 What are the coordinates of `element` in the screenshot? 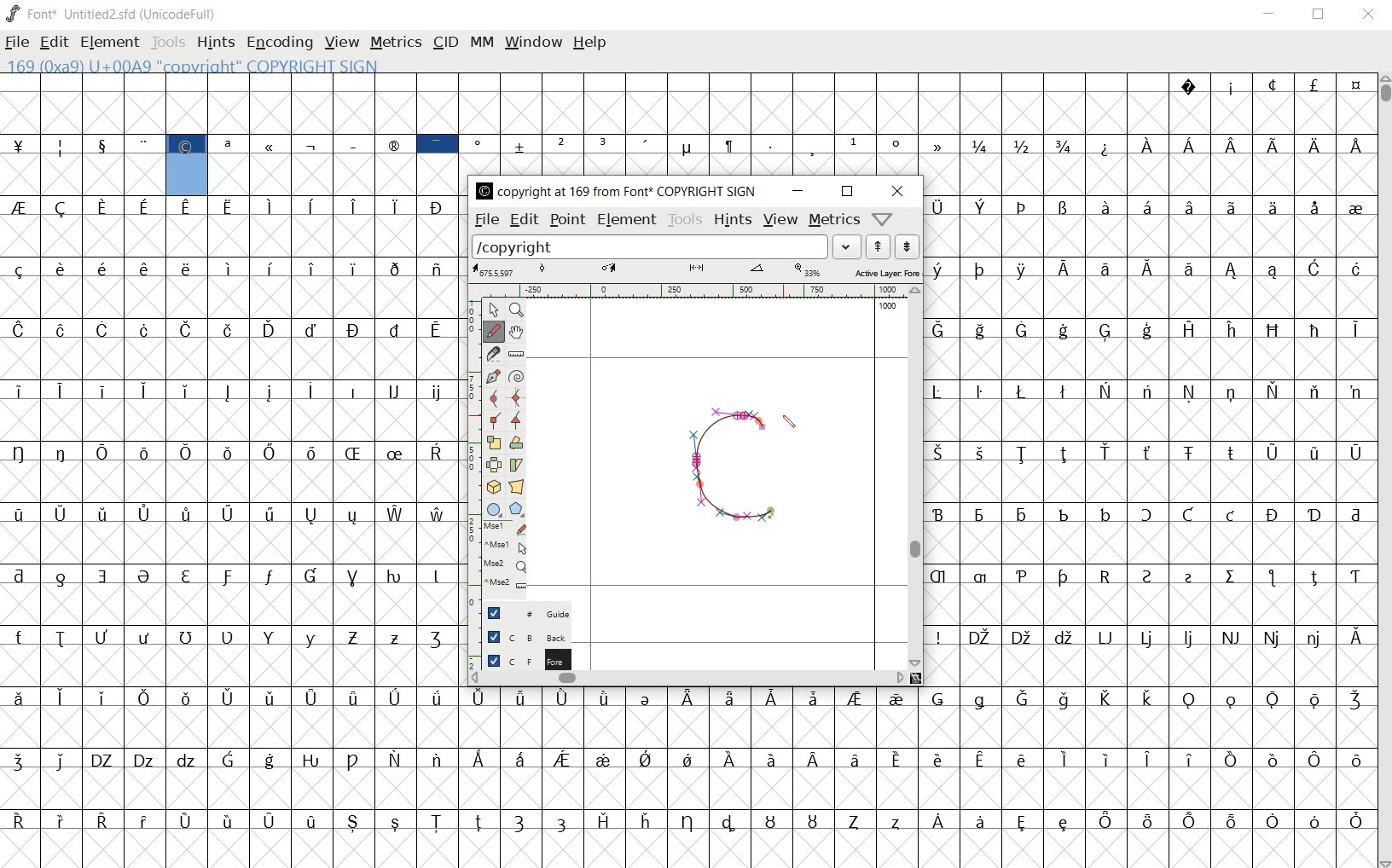 It's located at (627, 220).